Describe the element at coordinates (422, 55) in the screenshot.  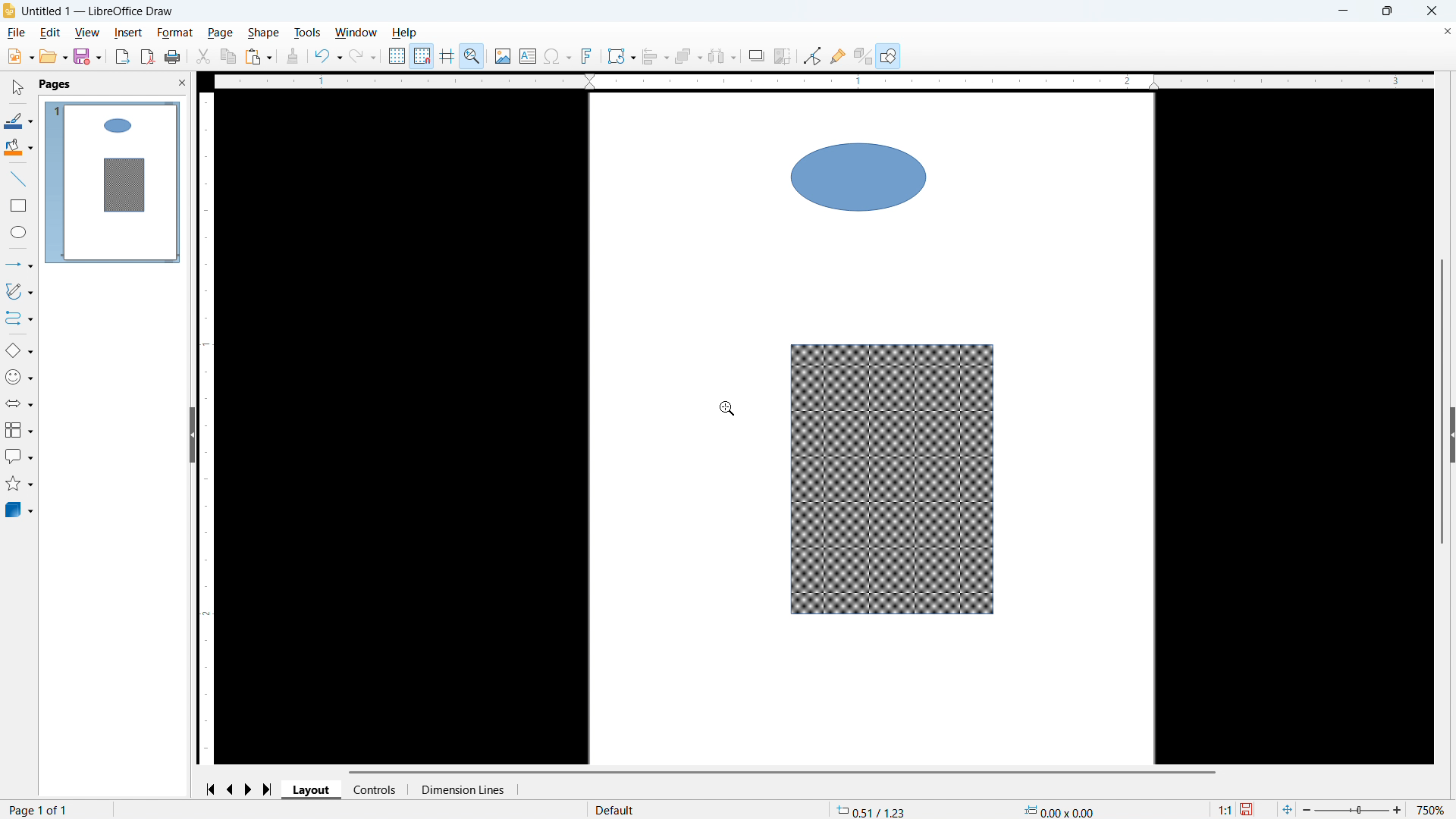
I see `Snap to grid ` at that location.